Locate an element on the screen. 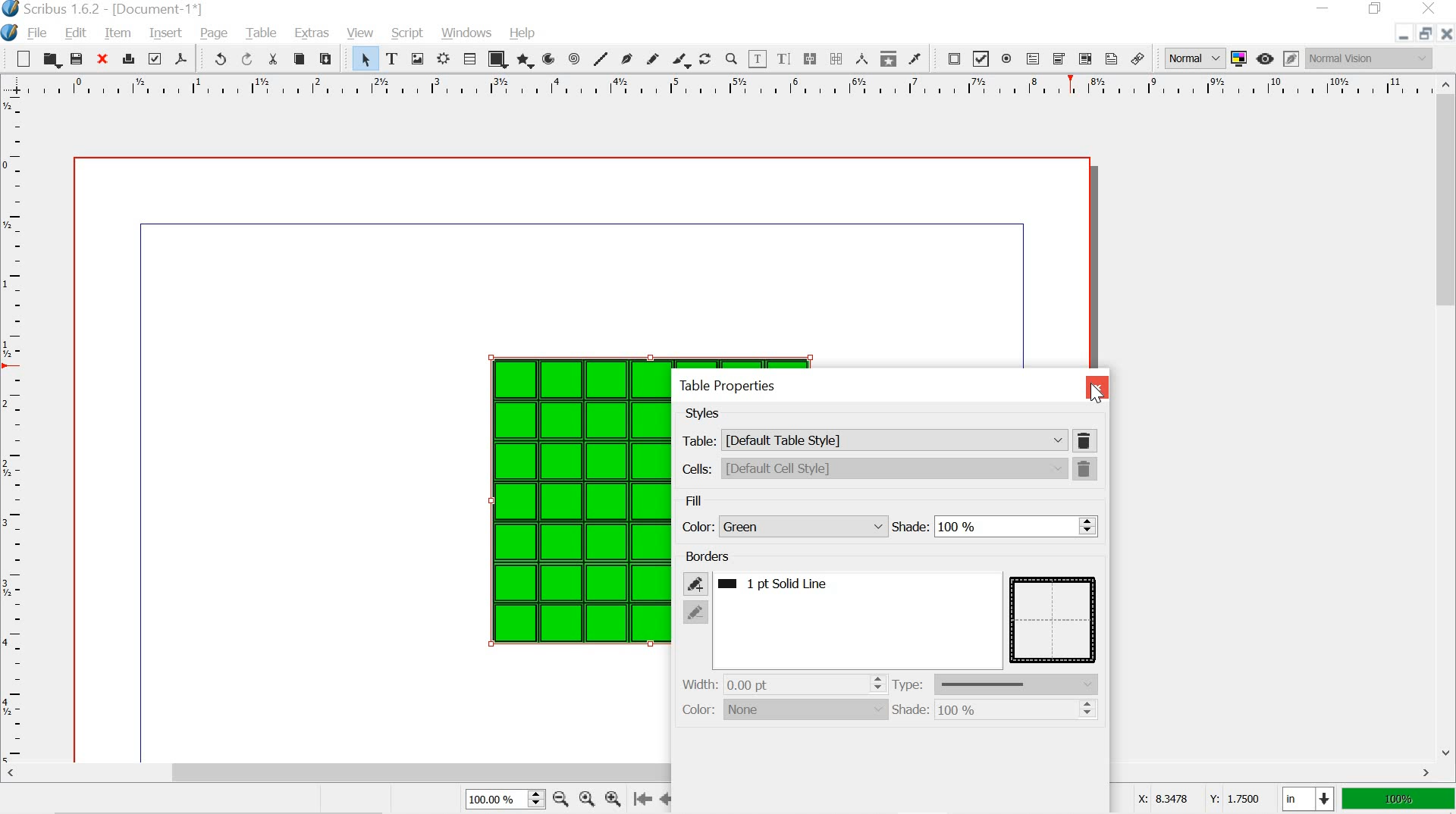  edit in preview mode is located at coordinates (1291, 57).